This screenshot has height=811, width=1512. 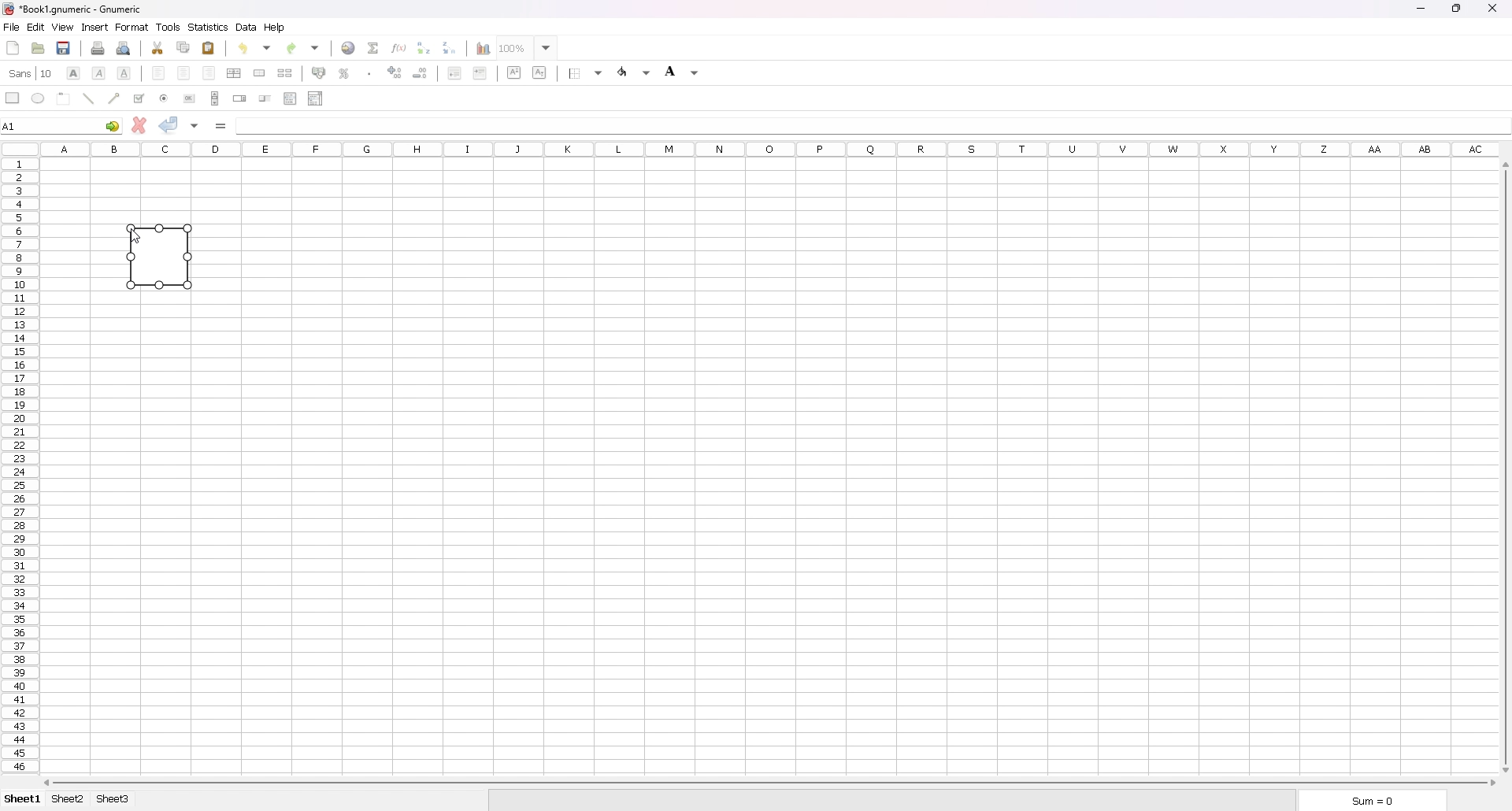 What do you see at coordinates (260, 72) in the screenshot?
I see `merge cells` at bounding box center [260, 72].